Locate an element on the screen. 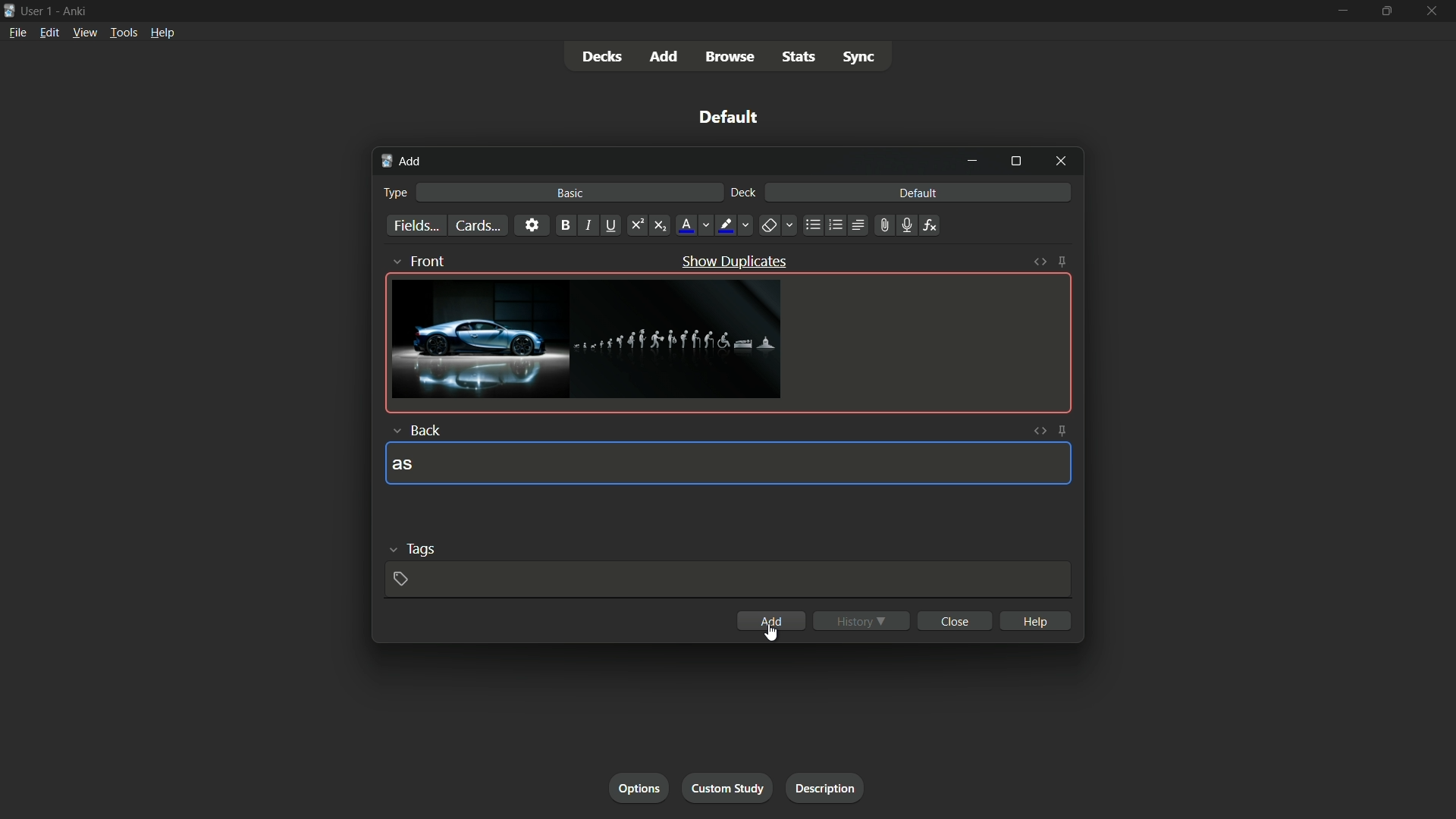  type is located at coordinates (396, 192).